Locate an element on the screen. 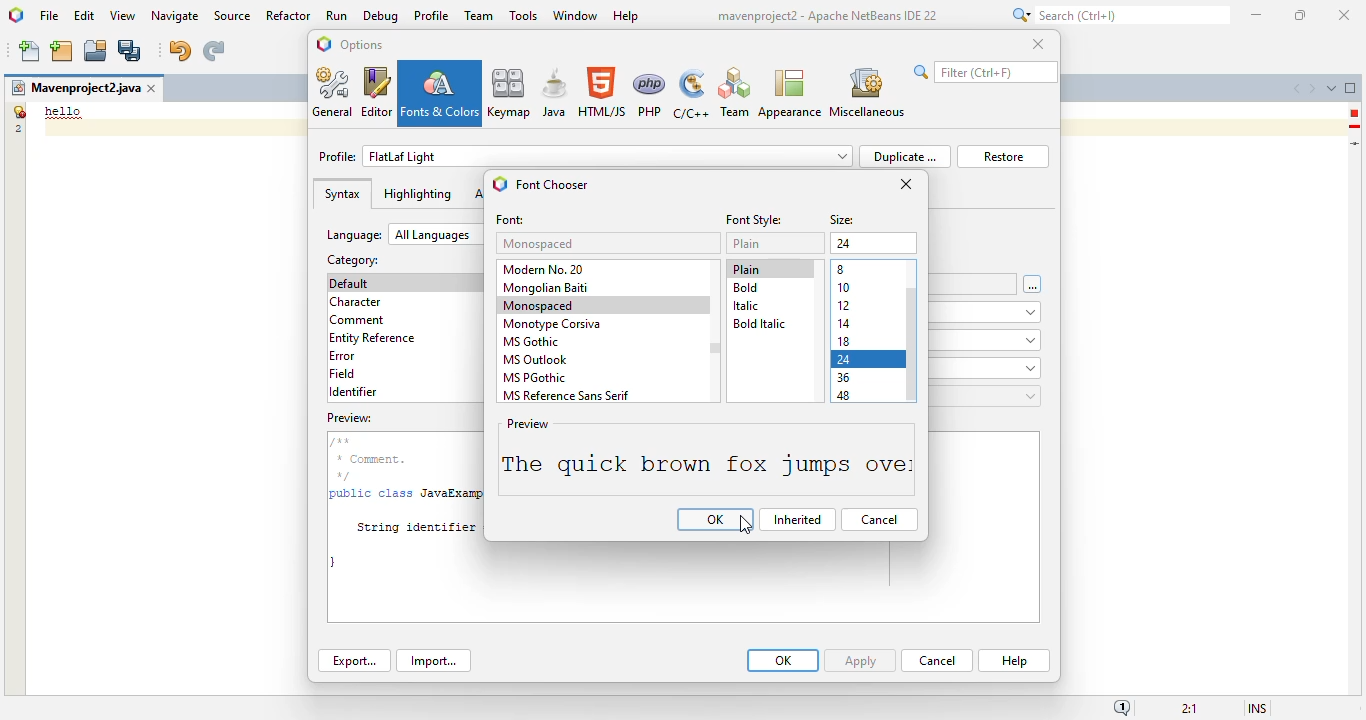  source is located at coordinates (232, 16).